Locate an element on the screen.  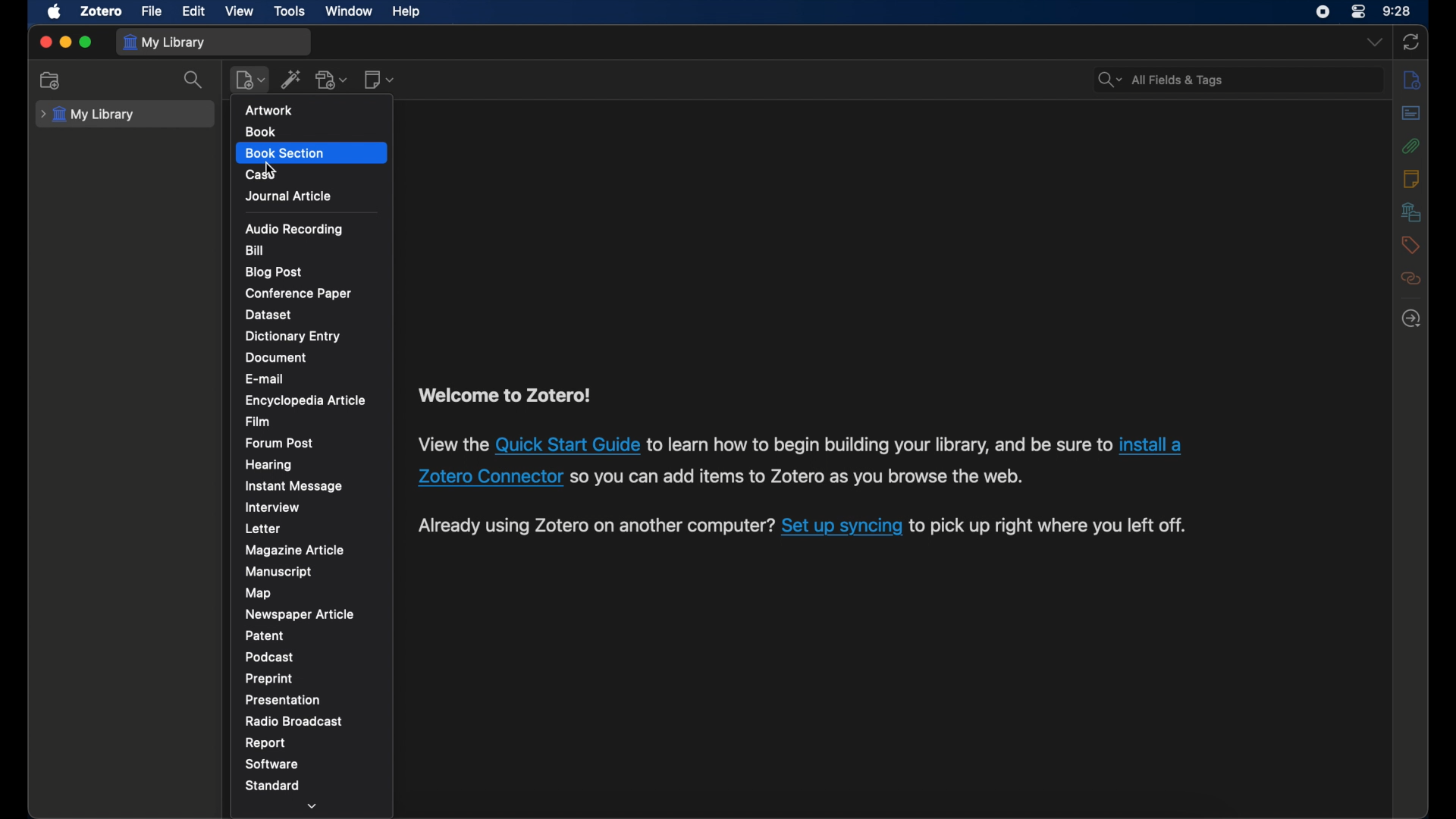
add attachment is located at coordinates (331, 80).